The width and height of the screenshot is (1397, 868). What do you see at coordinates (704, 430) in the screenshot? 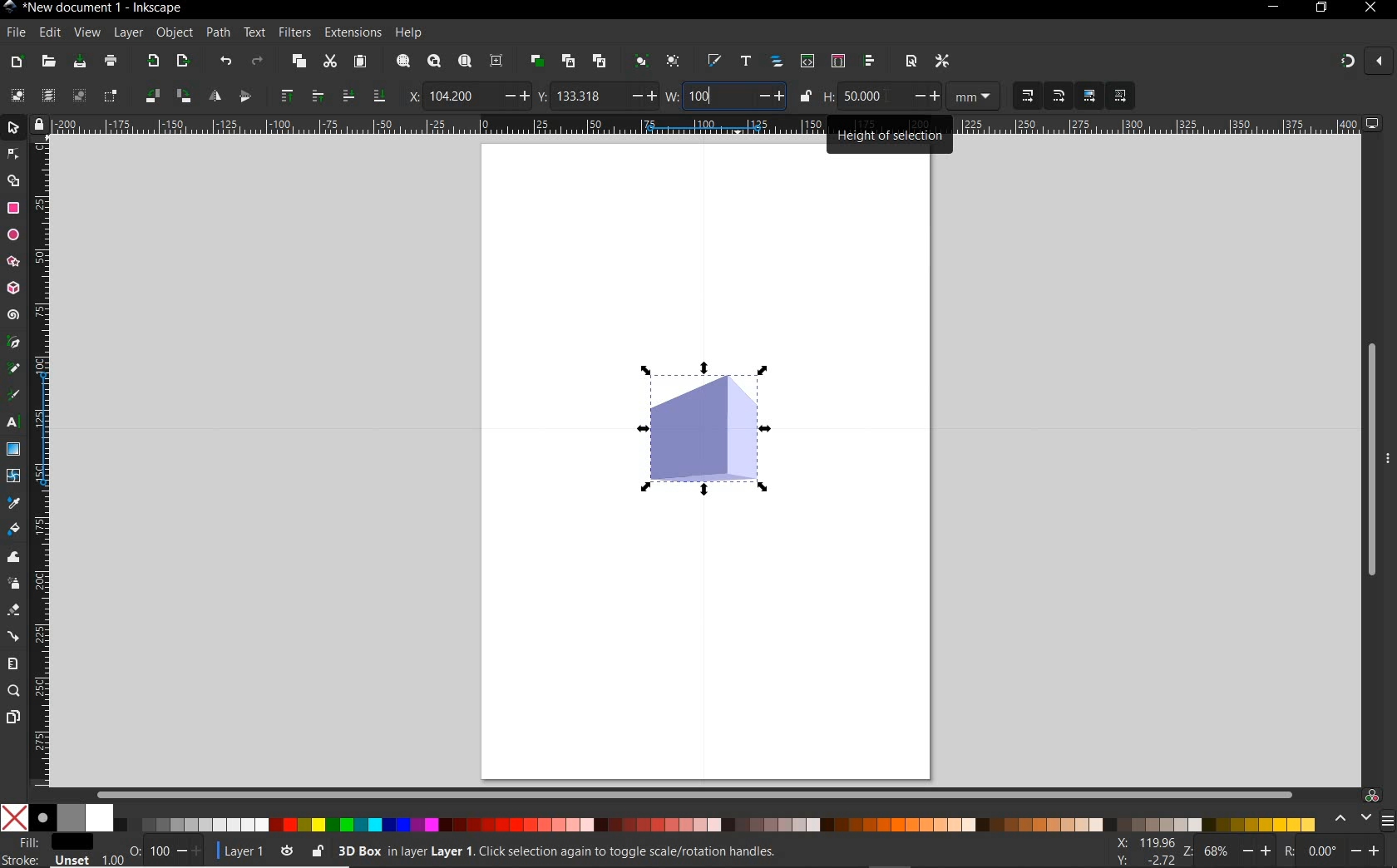
I see `shape` at bounding box center [704, 430].